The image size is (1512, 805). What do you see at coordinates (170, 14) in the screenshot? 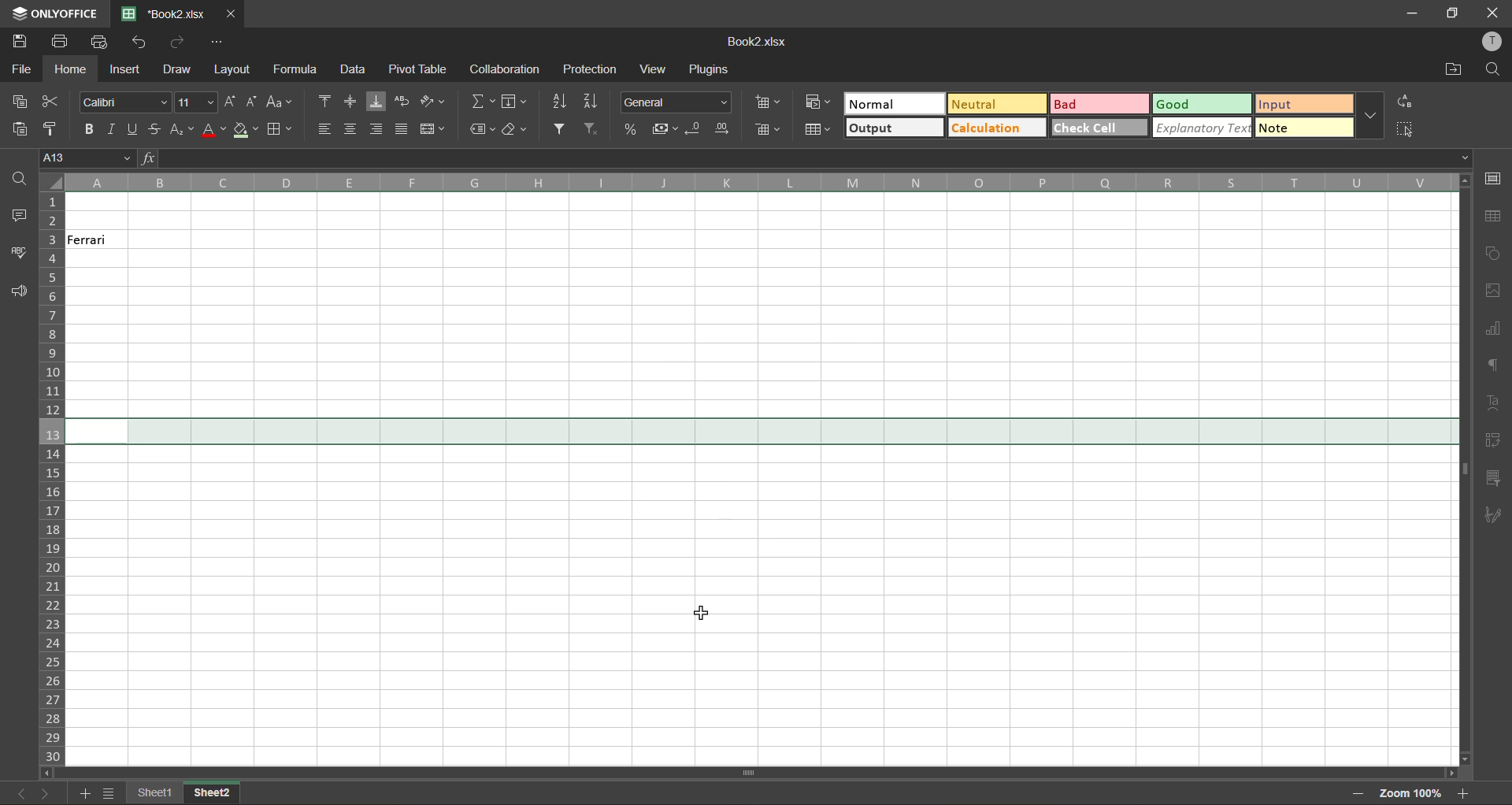
I see `filename` at bounding box center [170, 14].